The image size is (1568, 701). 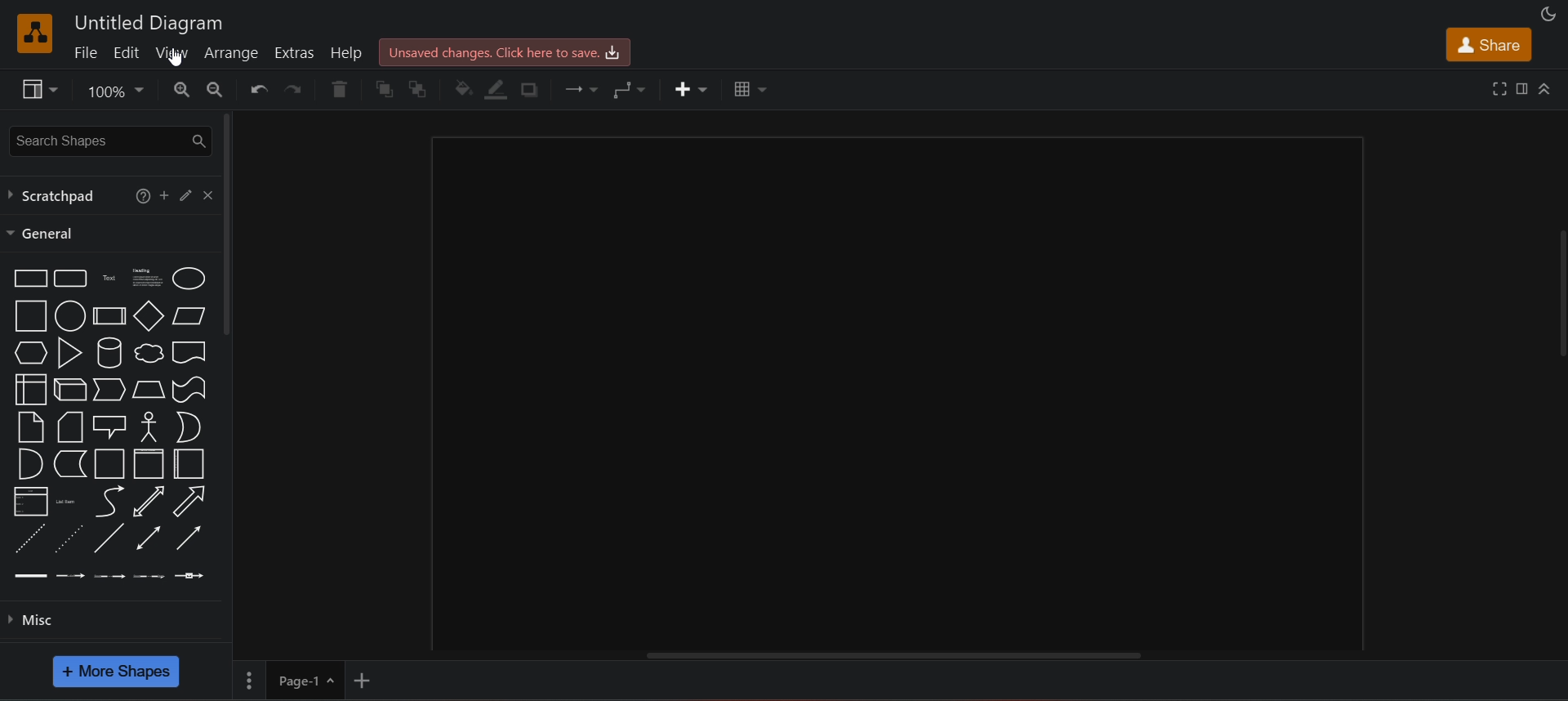 What do you see at coordinates (36, 89) in the screenshot?
I see `view` at bounding box center [36, 89].